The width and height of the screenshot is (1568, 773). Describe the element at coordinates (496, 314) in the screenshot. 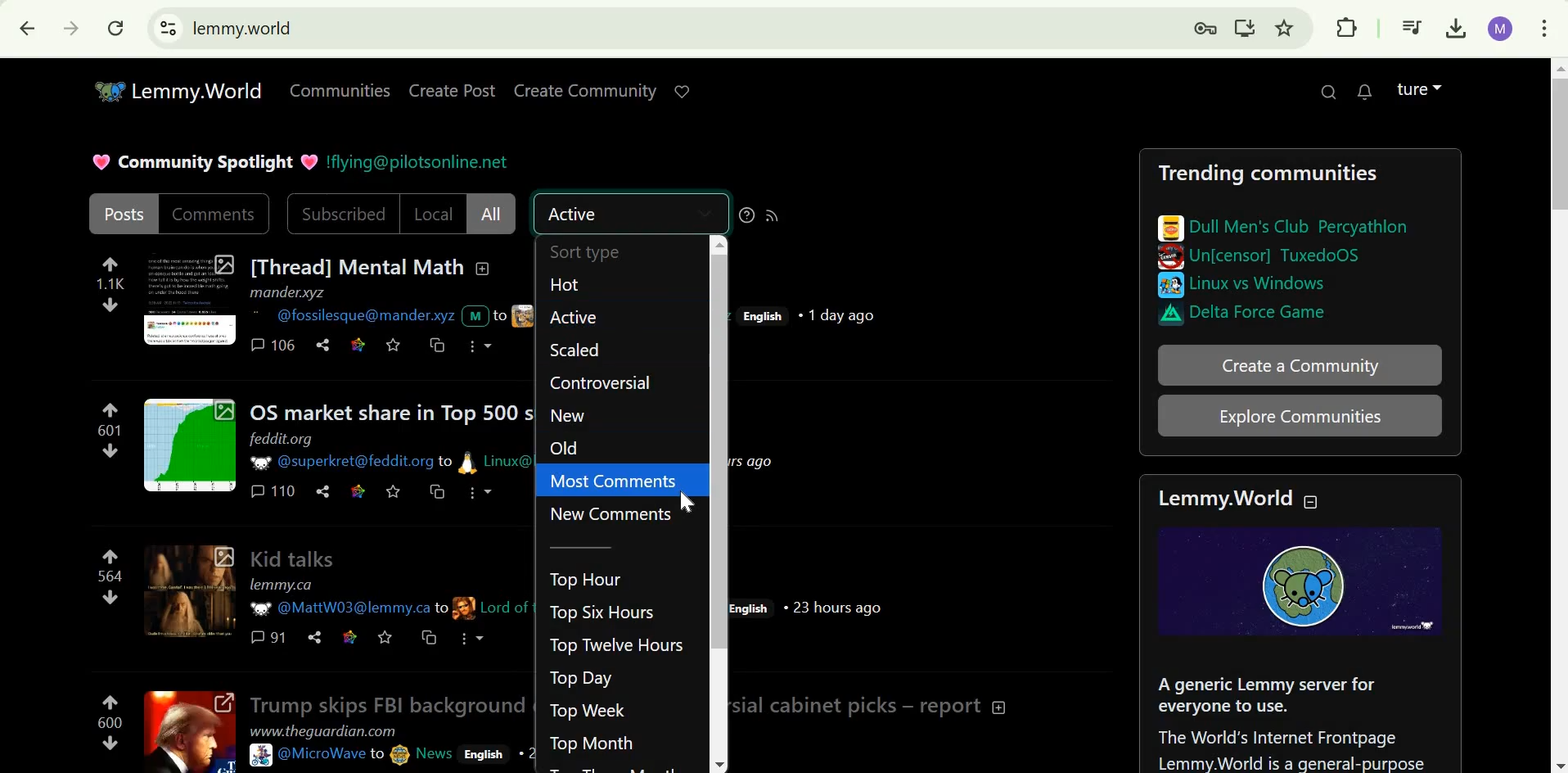

I see `text and picture` at that location.